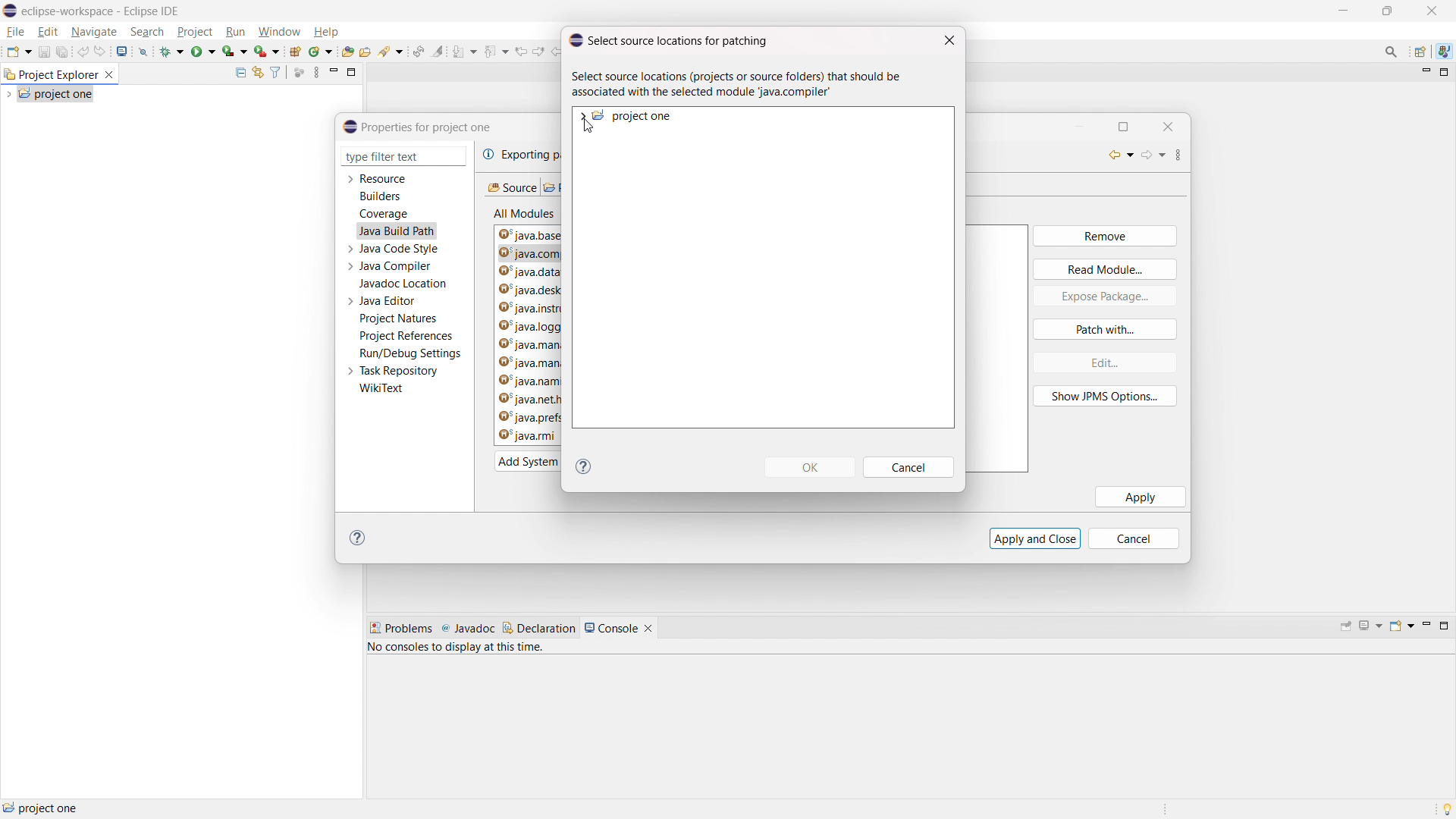 The height and width of the screenshot is (819, 1456). I want to click on select source locations for patching, so click(668, 39).